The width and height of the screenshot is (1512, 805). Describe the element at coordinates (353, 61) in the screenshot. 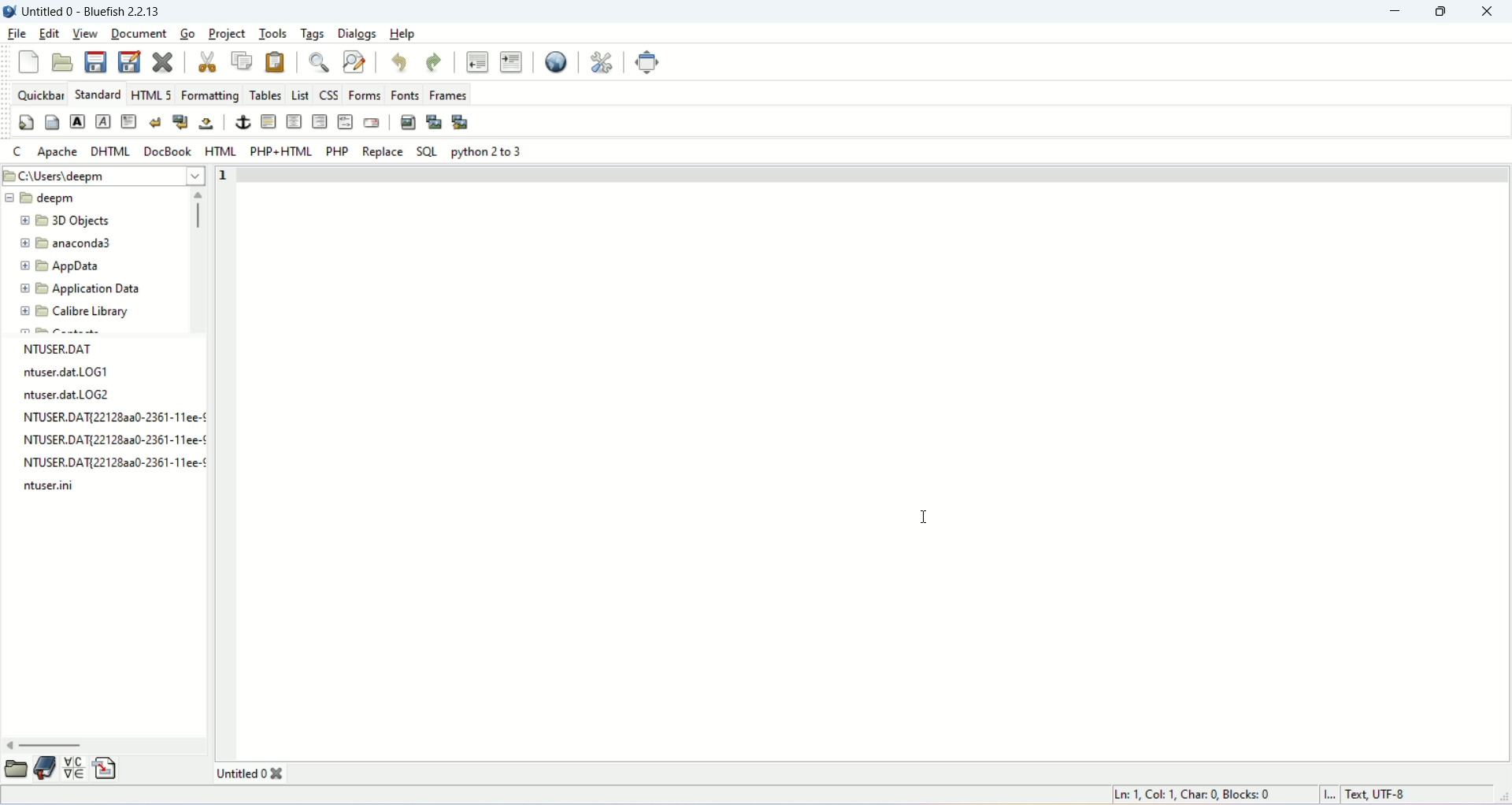

I see `advanced find and replace` at that location.